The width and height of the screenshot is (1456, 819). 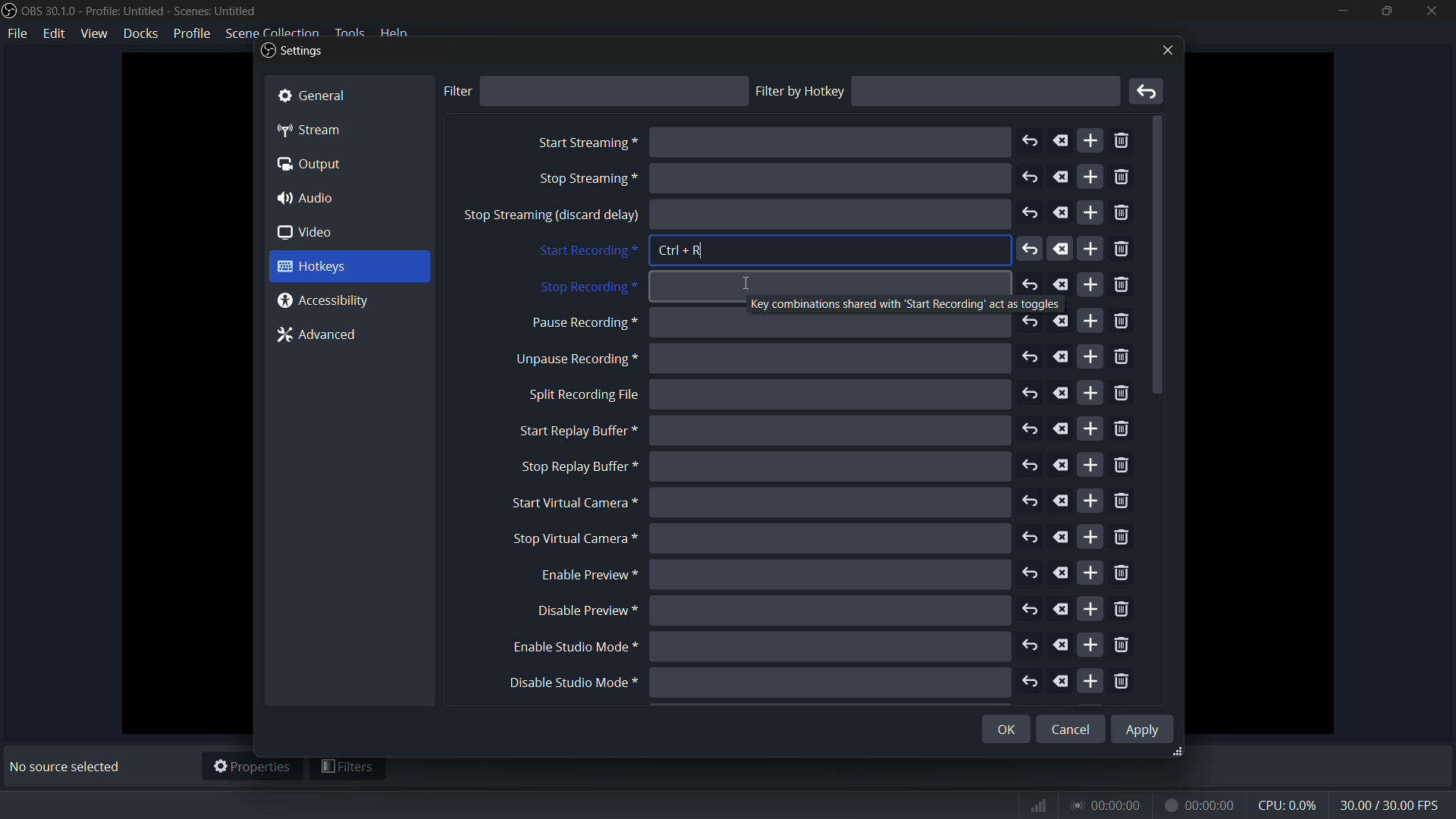 What do you see at coordinates (292, 52) in the screenshot?
I see `Settings` at bounding box center [292, 52].